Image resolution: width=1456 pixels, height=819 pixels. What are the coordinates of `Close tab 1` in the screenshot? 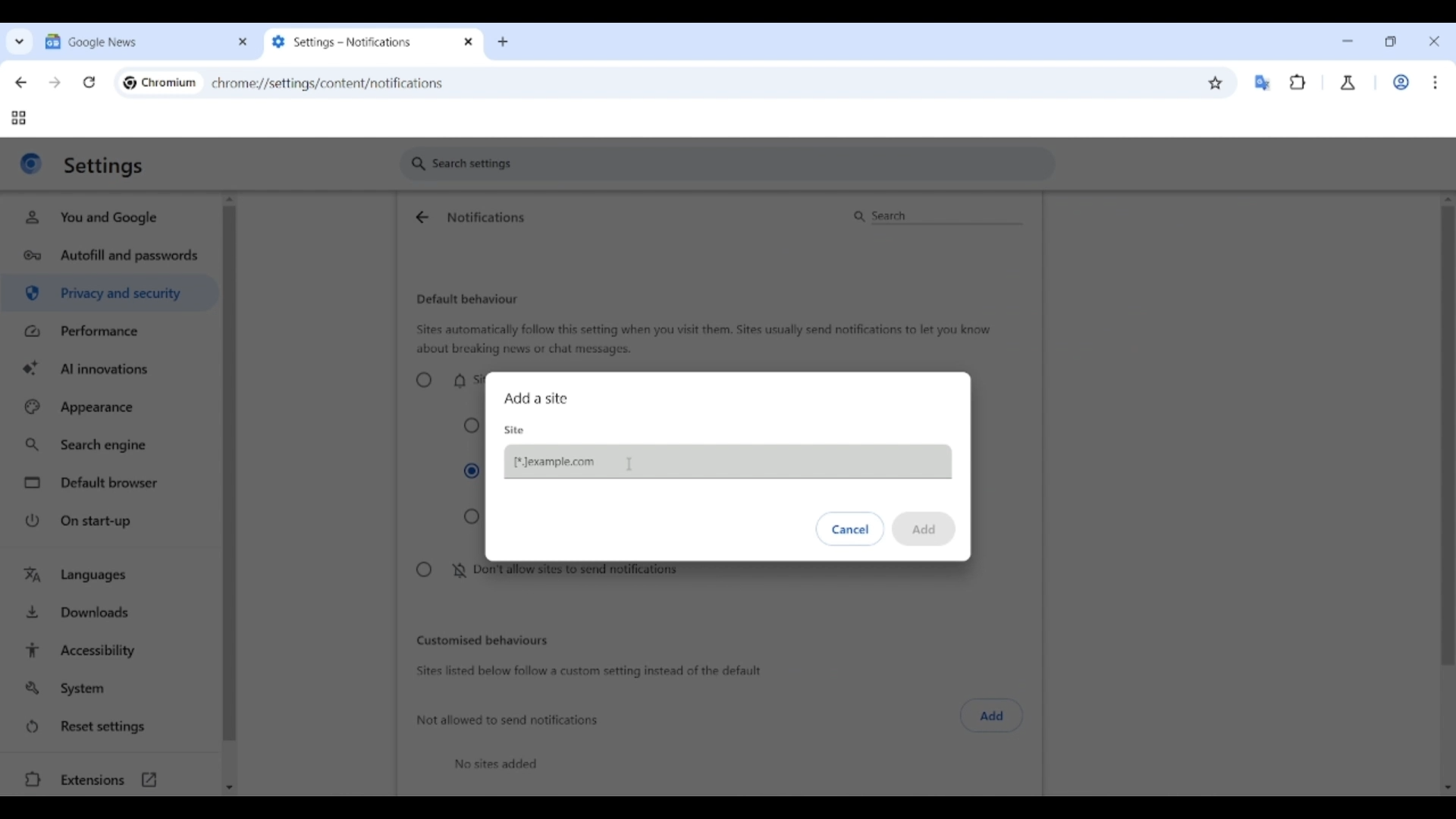 It's located at (243, 42).